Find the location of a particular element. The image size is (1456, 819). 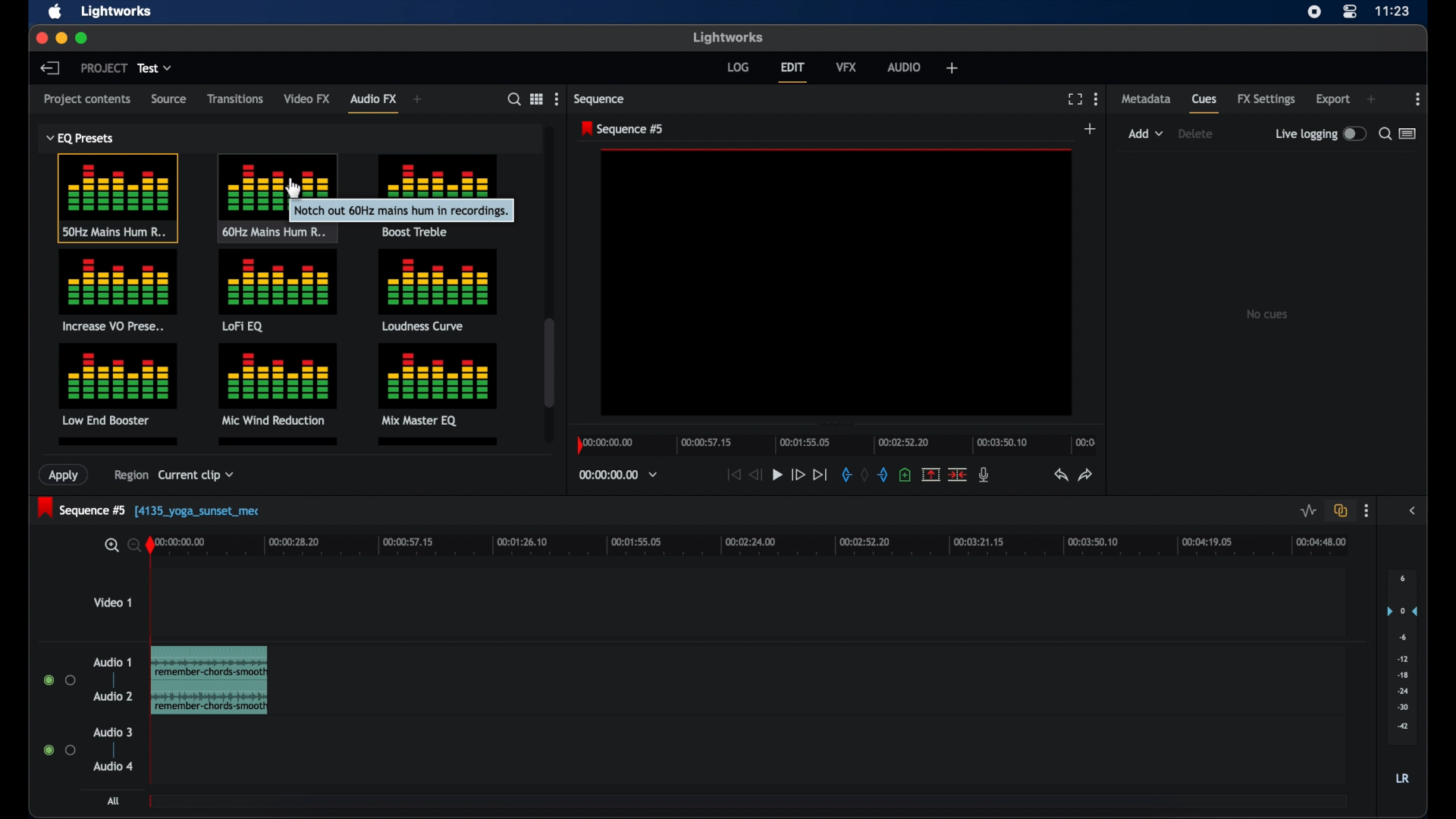

video 1 is located at coordinates (112, 602).